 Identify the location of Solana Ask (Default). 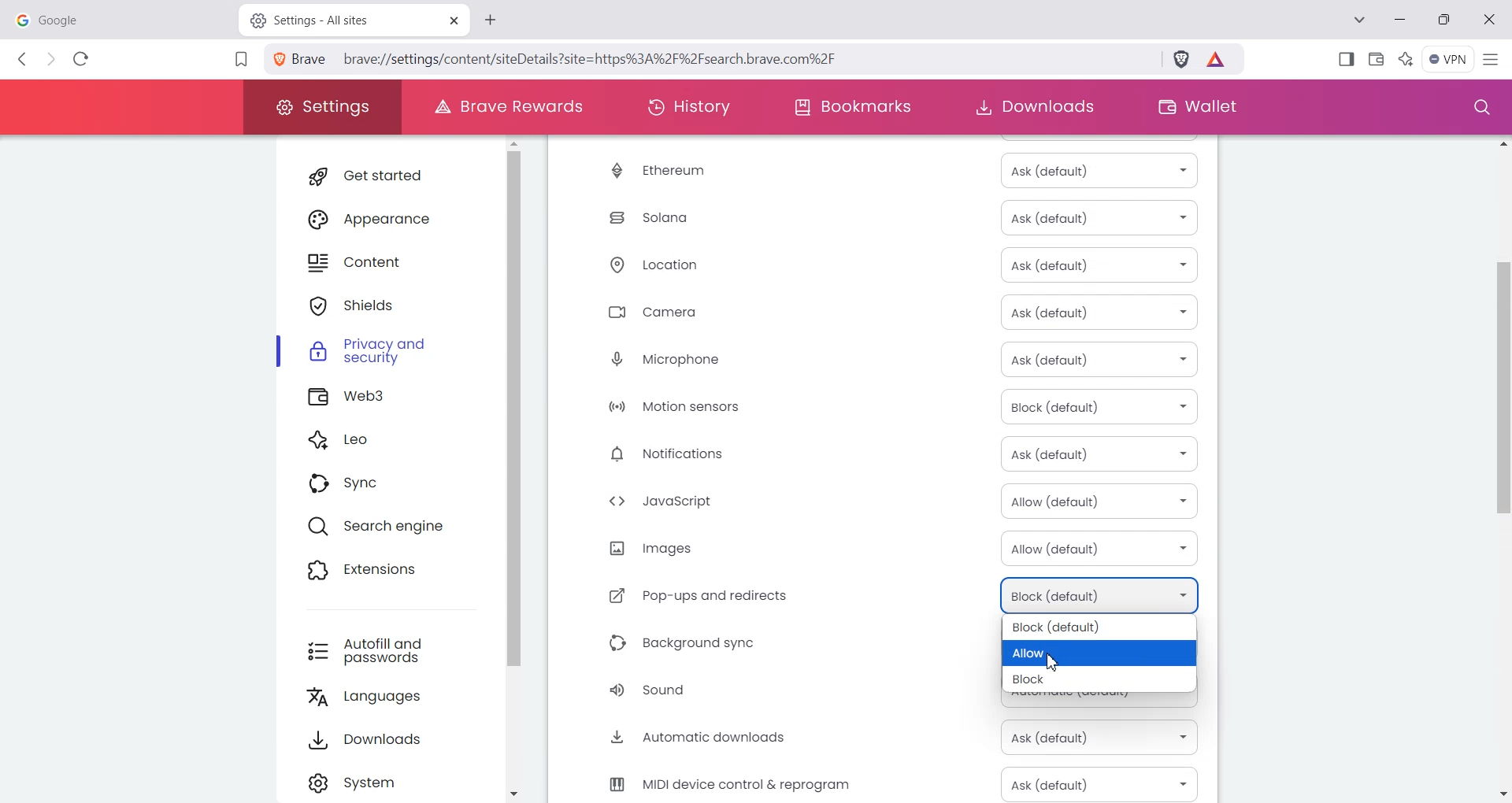
(883, 216).